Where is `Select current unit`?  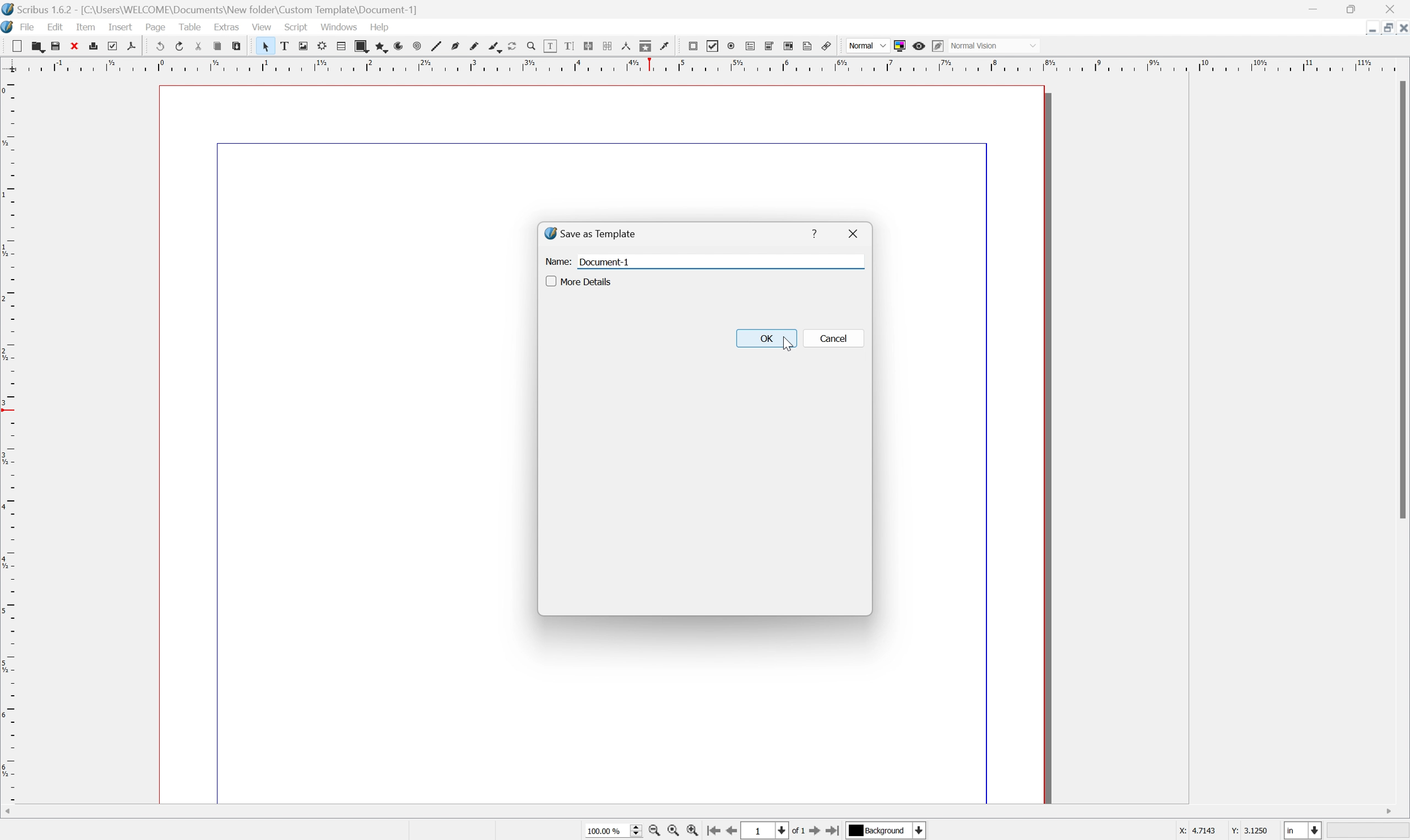
Select current unit is located at coordinates (1302, 829).